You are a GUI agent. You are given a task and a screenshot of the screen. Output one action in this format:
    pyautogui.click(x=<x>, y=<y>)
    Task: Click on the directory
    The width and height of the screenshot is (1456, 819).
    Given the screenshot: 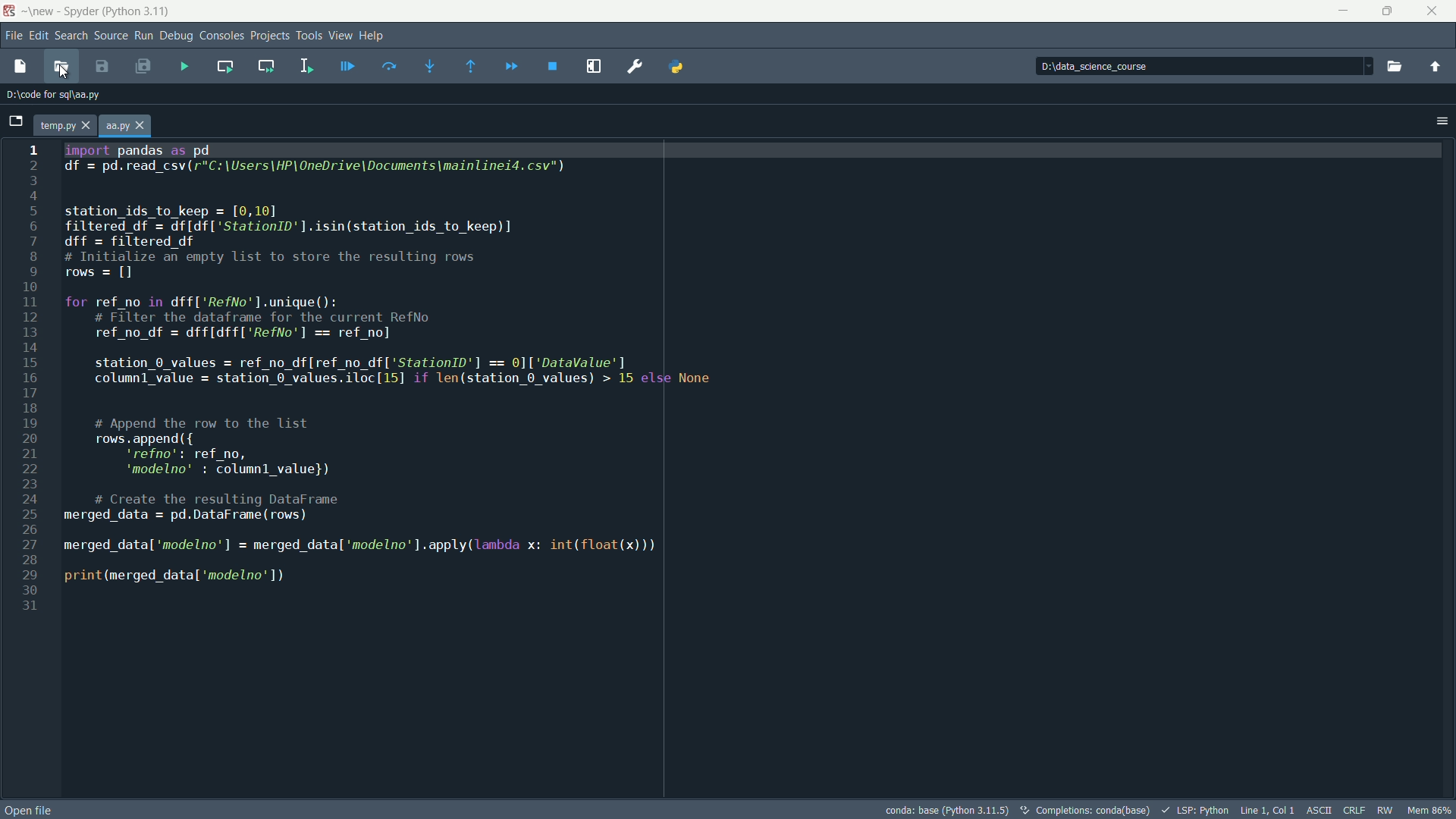 What is the action you would take?
    pyautogui.click(x=1200, y=66)
    